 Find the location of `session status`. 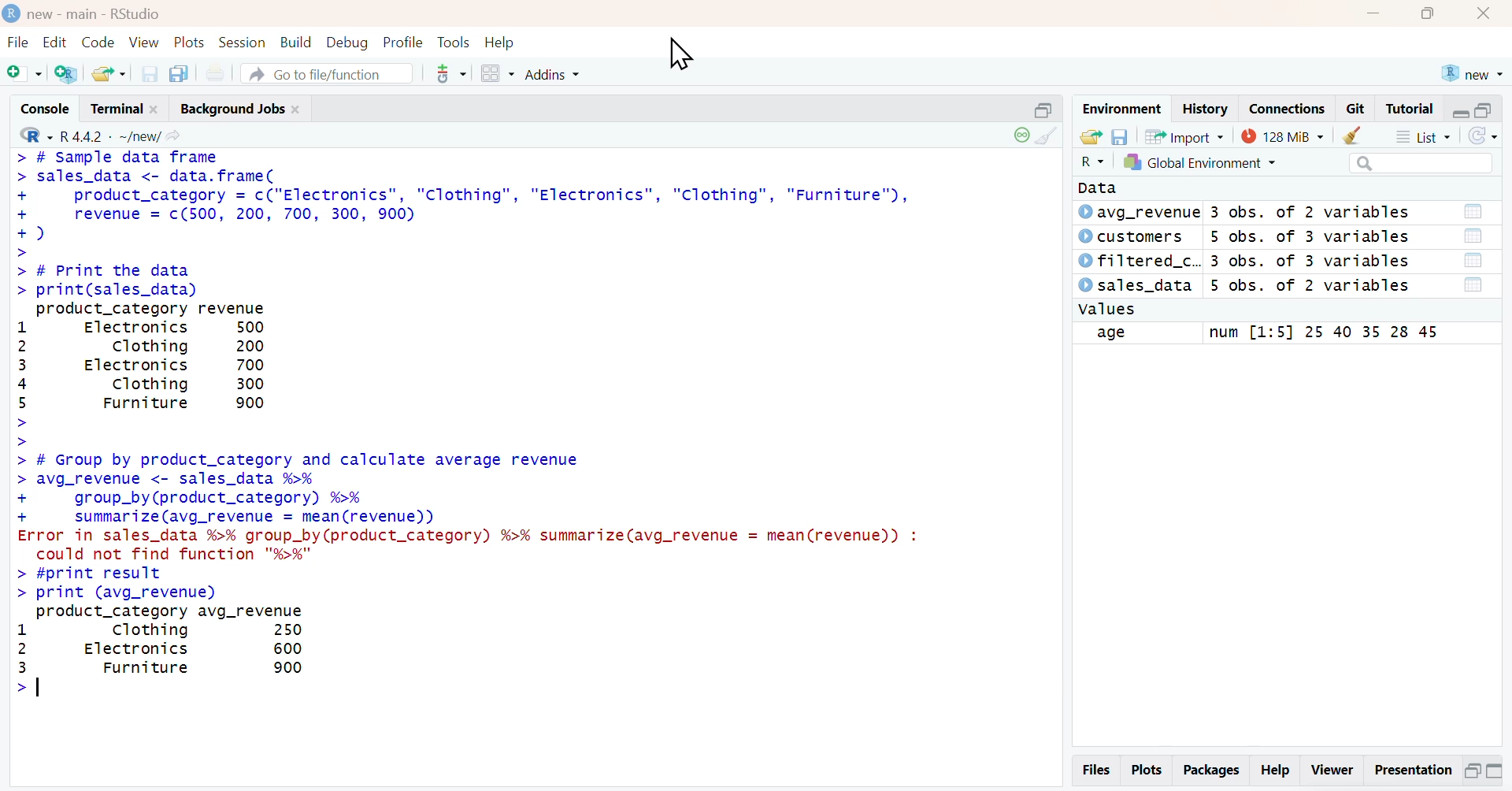

session status is located at coordinates (1020, 136).